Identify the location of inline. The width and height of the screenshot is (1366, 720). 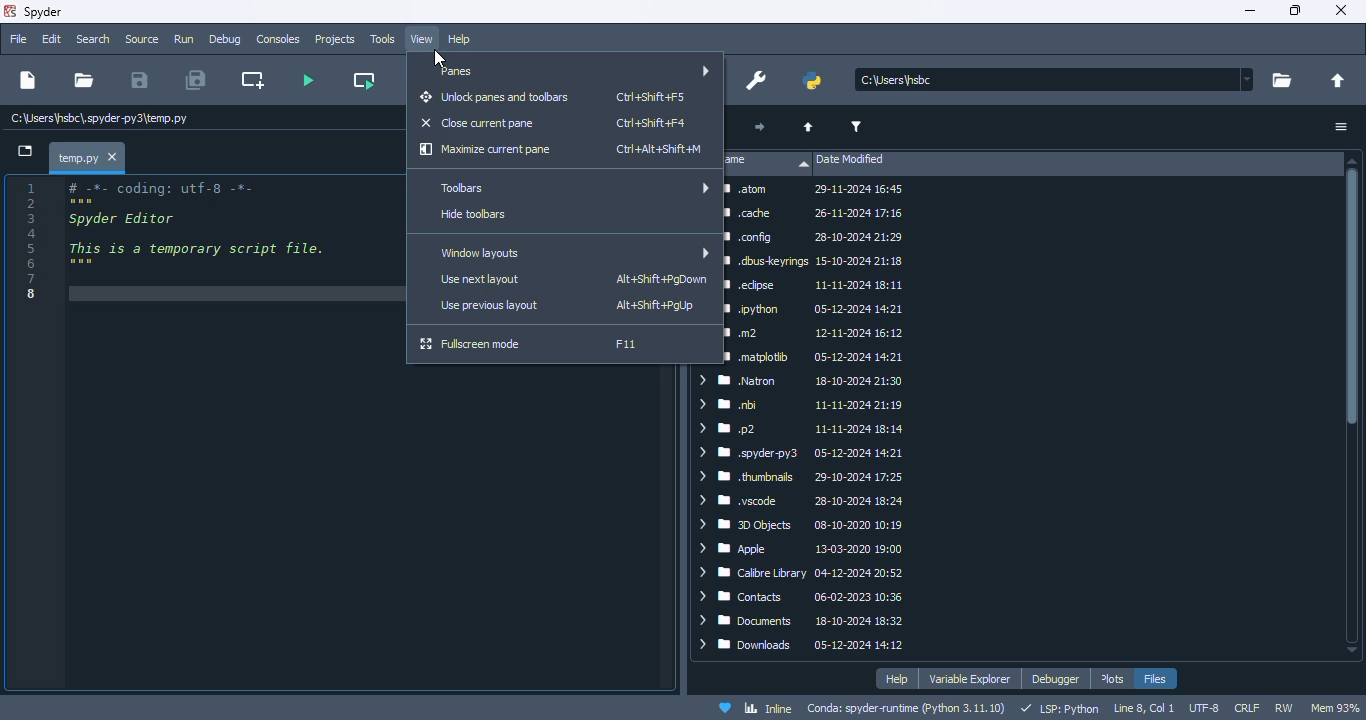
(768, 709).